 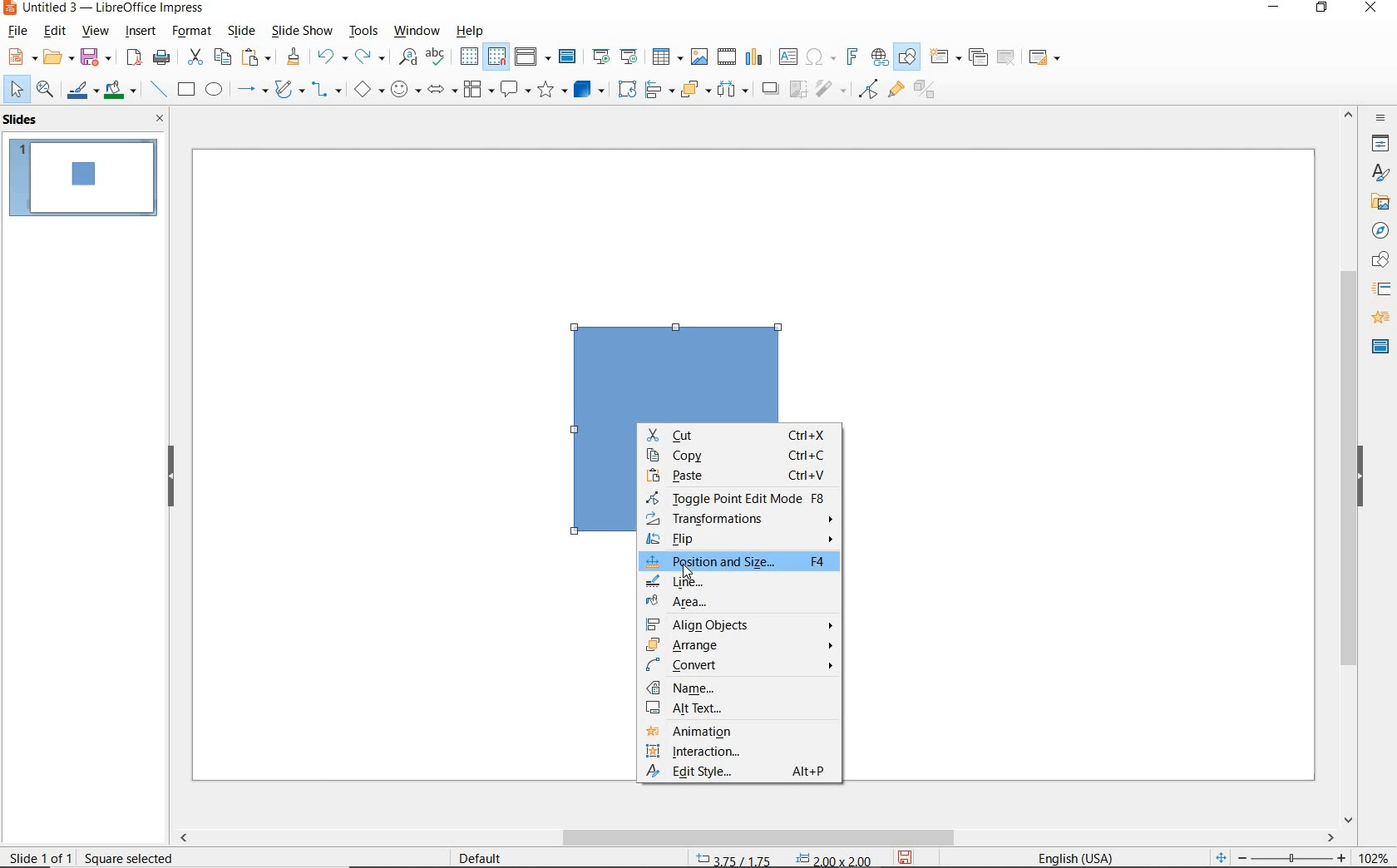 What do you see at coordinates (799, 91) in the screenshot?
I see `crop image` at bounding box center [799, 91].